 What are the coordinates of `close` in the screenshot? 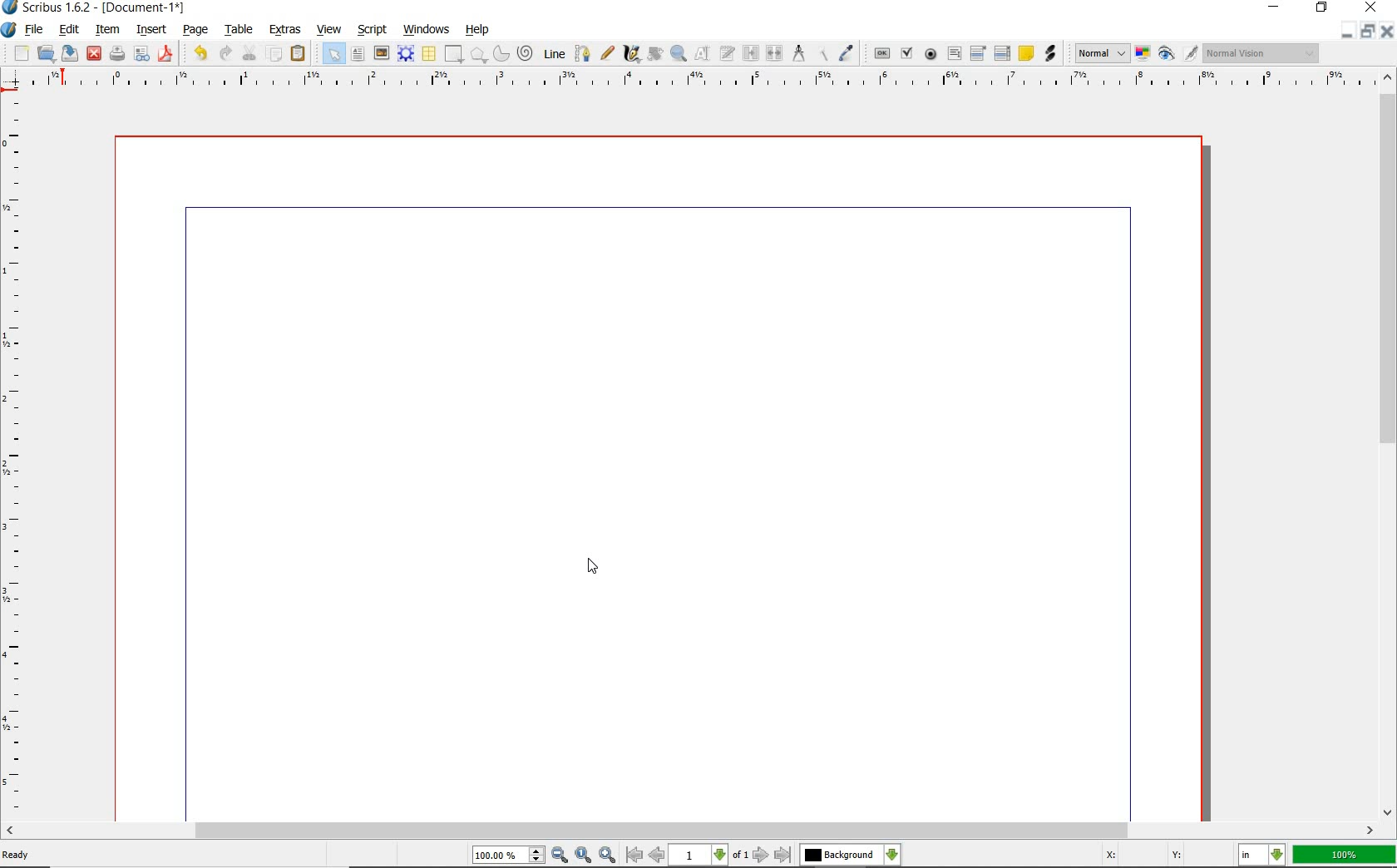 It's located at (1387, 32).